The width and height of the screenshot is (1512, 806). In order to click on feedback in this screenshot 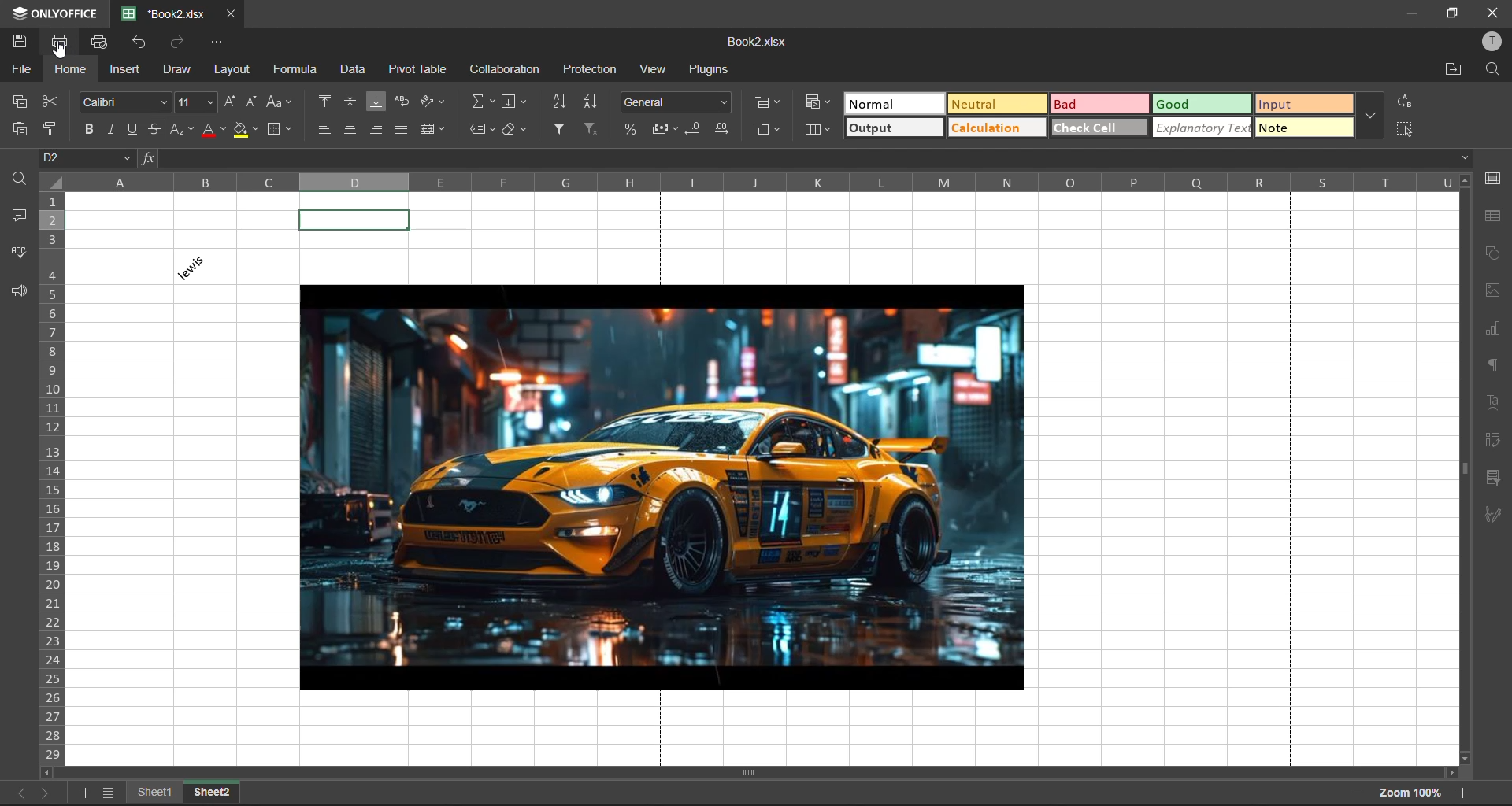, I will do `click(18, 291)`.